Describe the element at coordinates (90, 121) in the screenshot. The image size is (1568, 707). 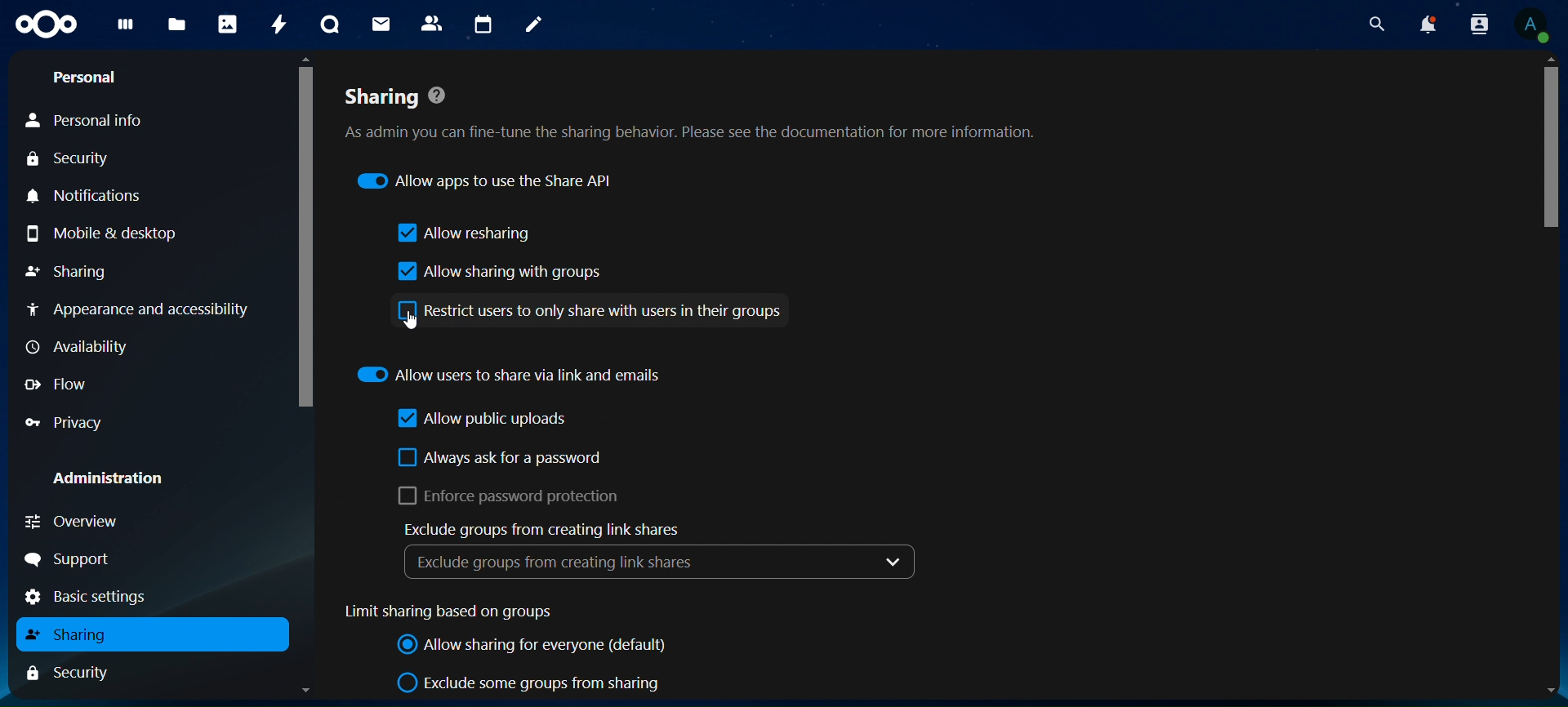
I see `personal info` at that location.